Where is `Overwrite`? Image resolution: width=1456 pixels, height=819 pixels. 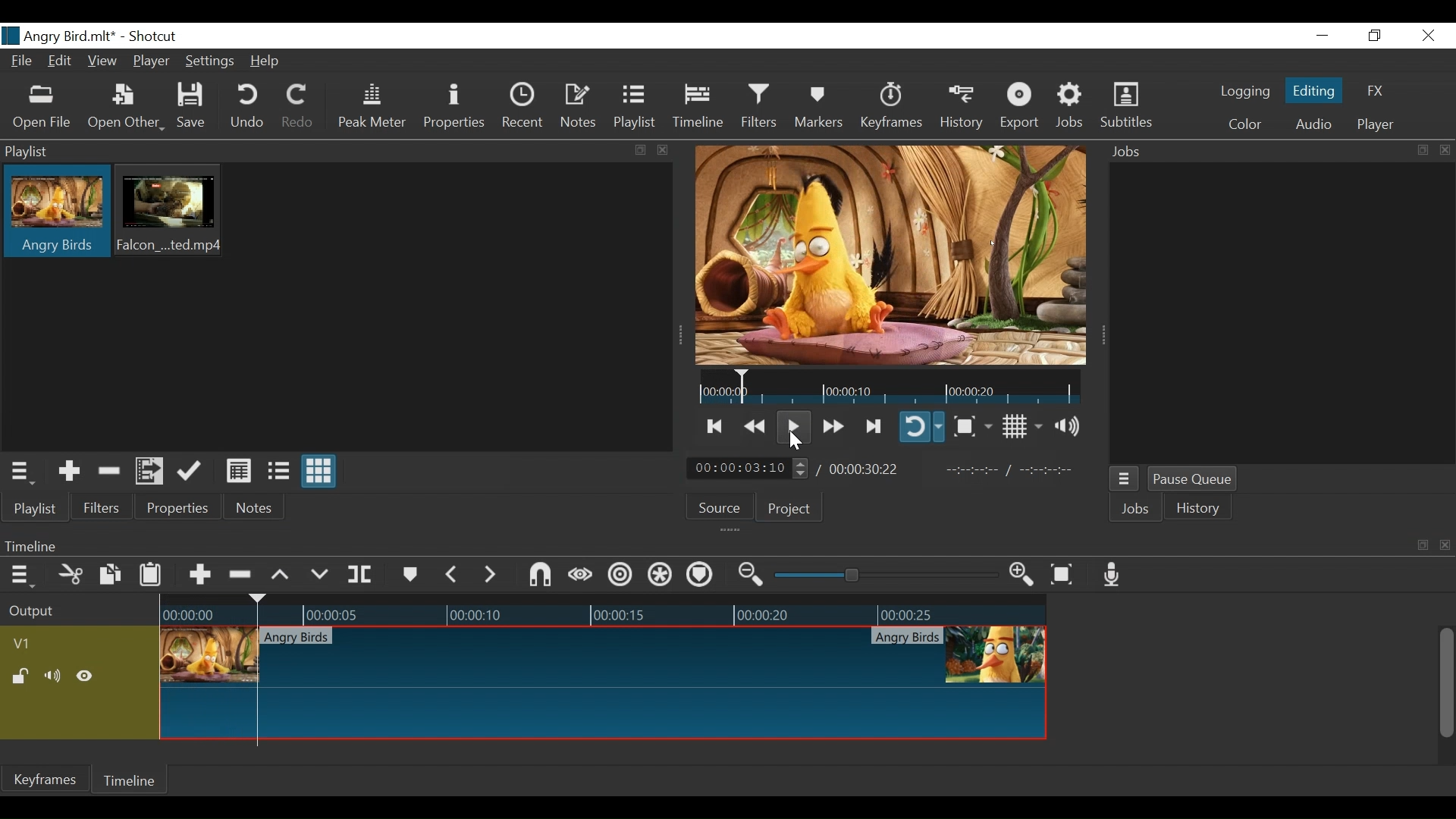 Overwrite is located at coordinates (319, 572).